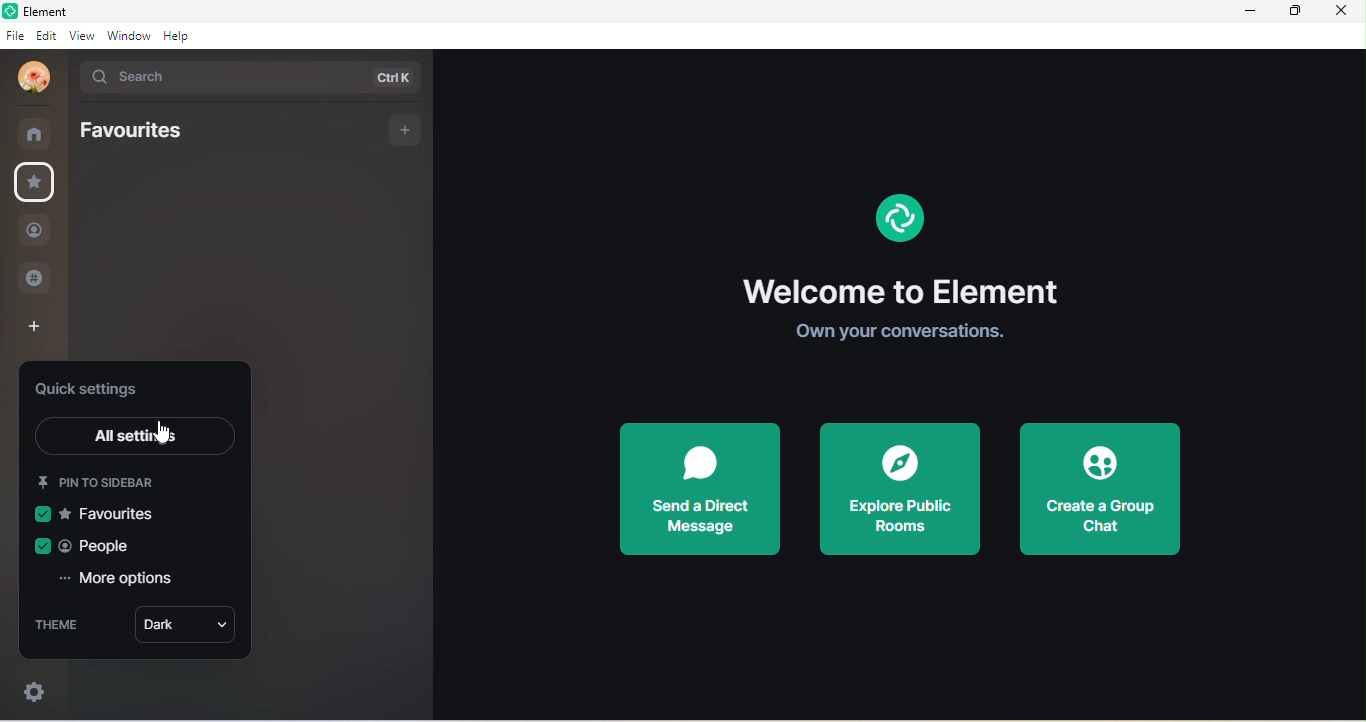 Image resolution: width=1366 pixels, height=722 pixels. I want to click on more options, so click(116, 578).